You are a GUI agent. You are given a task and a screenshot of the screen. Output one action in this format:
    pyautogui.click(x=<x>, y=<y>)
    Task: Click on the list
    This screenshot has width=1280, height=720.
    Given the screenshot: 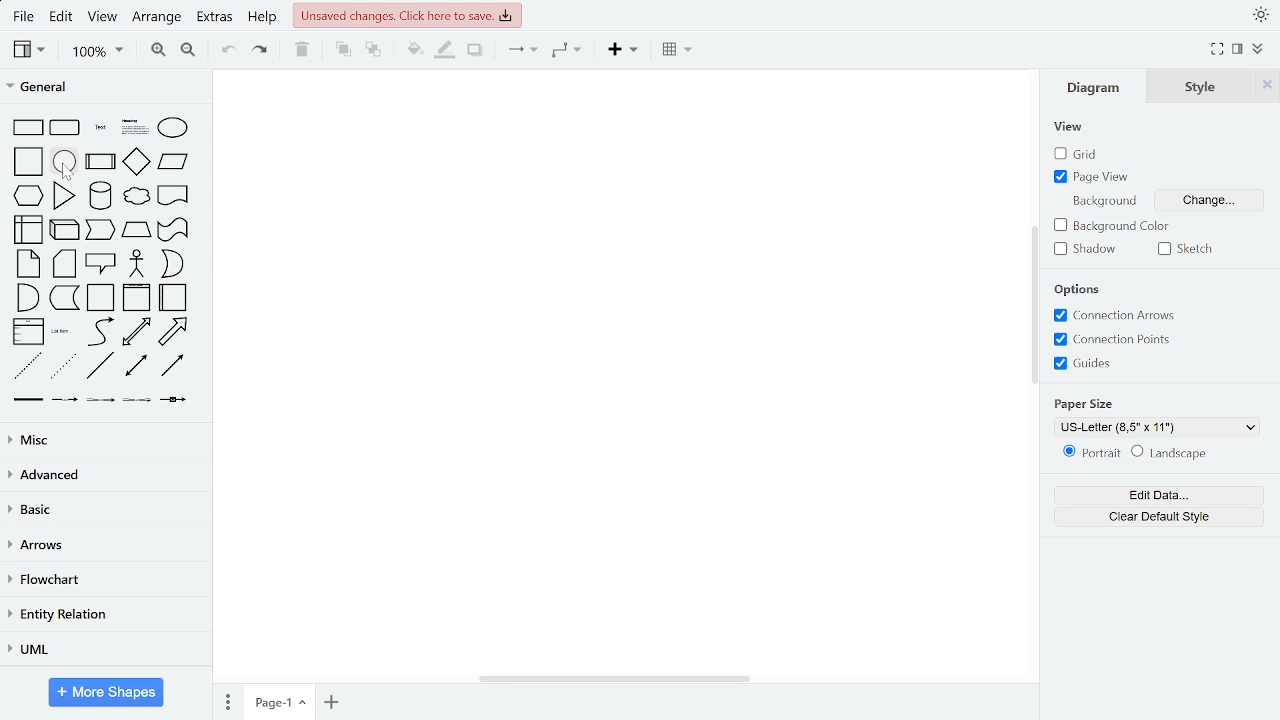 What is the action you would take?
    pyautogui.click(x=29, y=332)
    